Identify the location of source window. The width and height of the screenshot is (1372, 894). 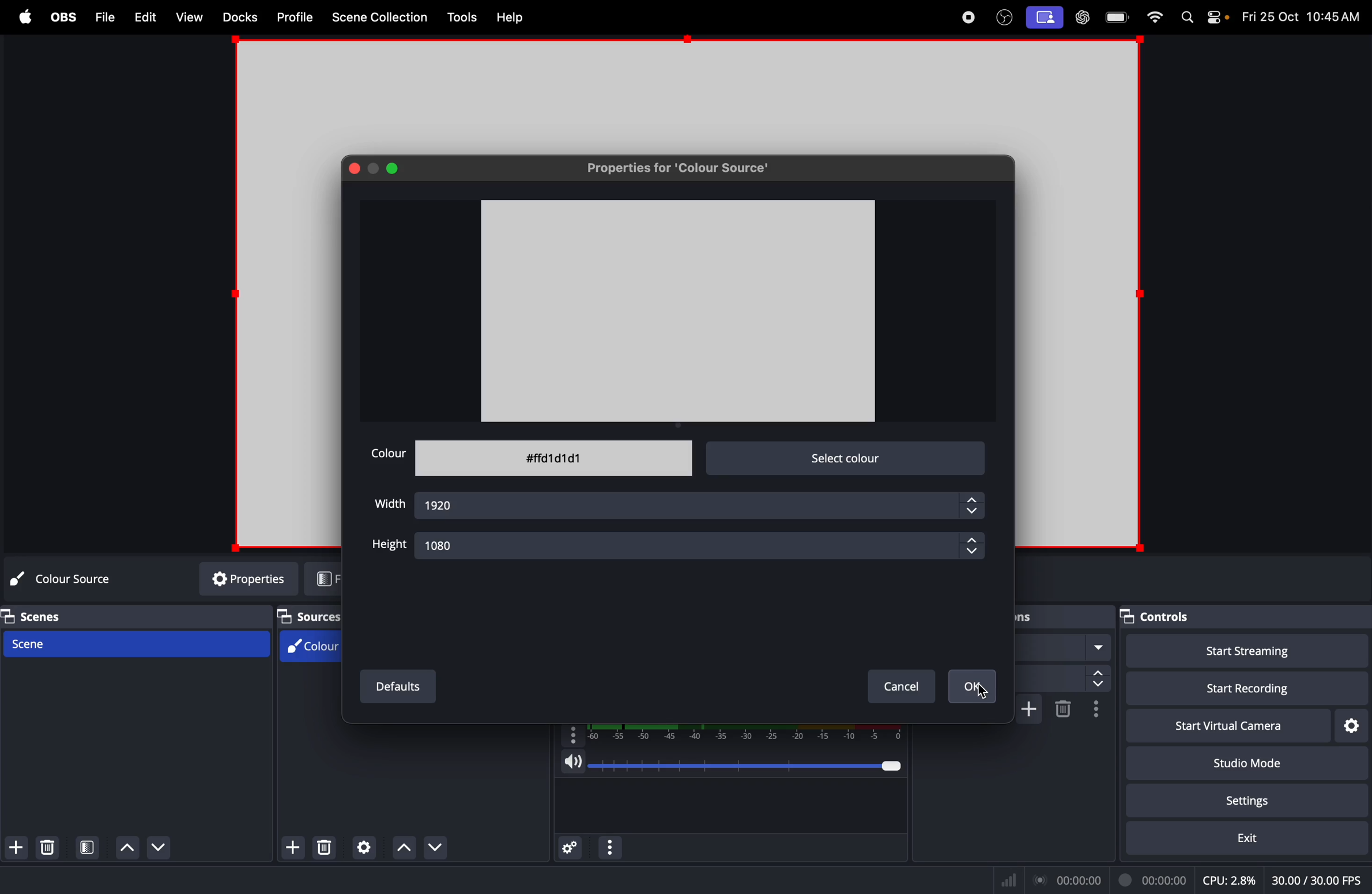
(679, 310).